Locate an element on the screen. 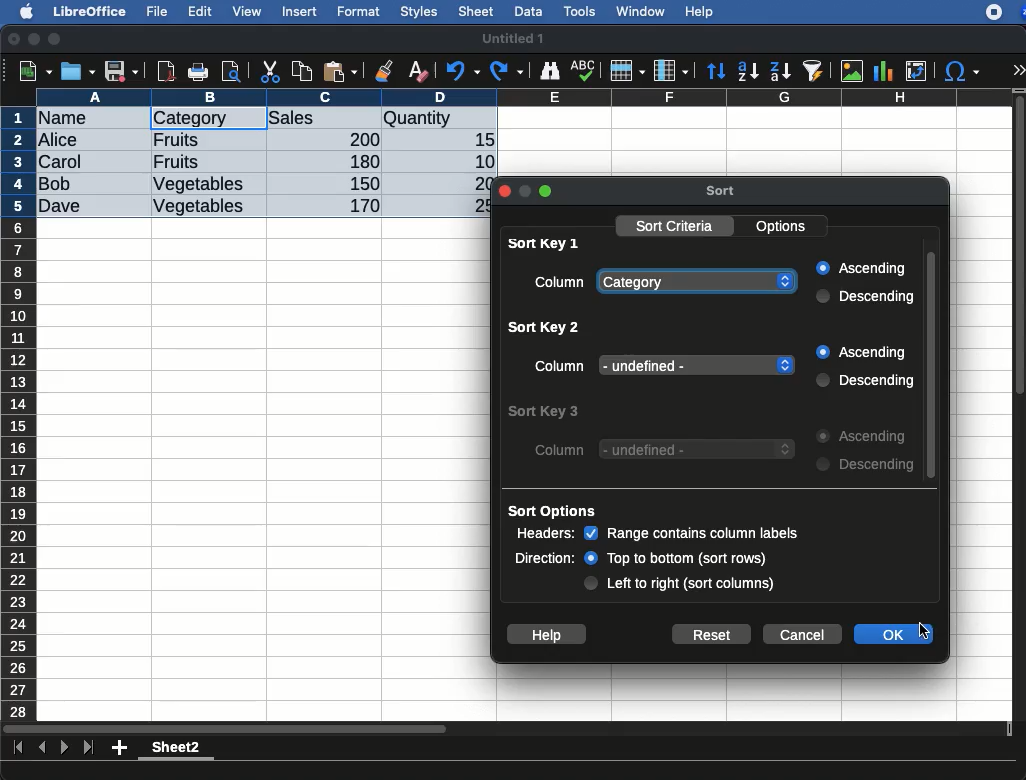 The width and height of the screenshot is (1026, 780). column is located at coordinates (562, 450).